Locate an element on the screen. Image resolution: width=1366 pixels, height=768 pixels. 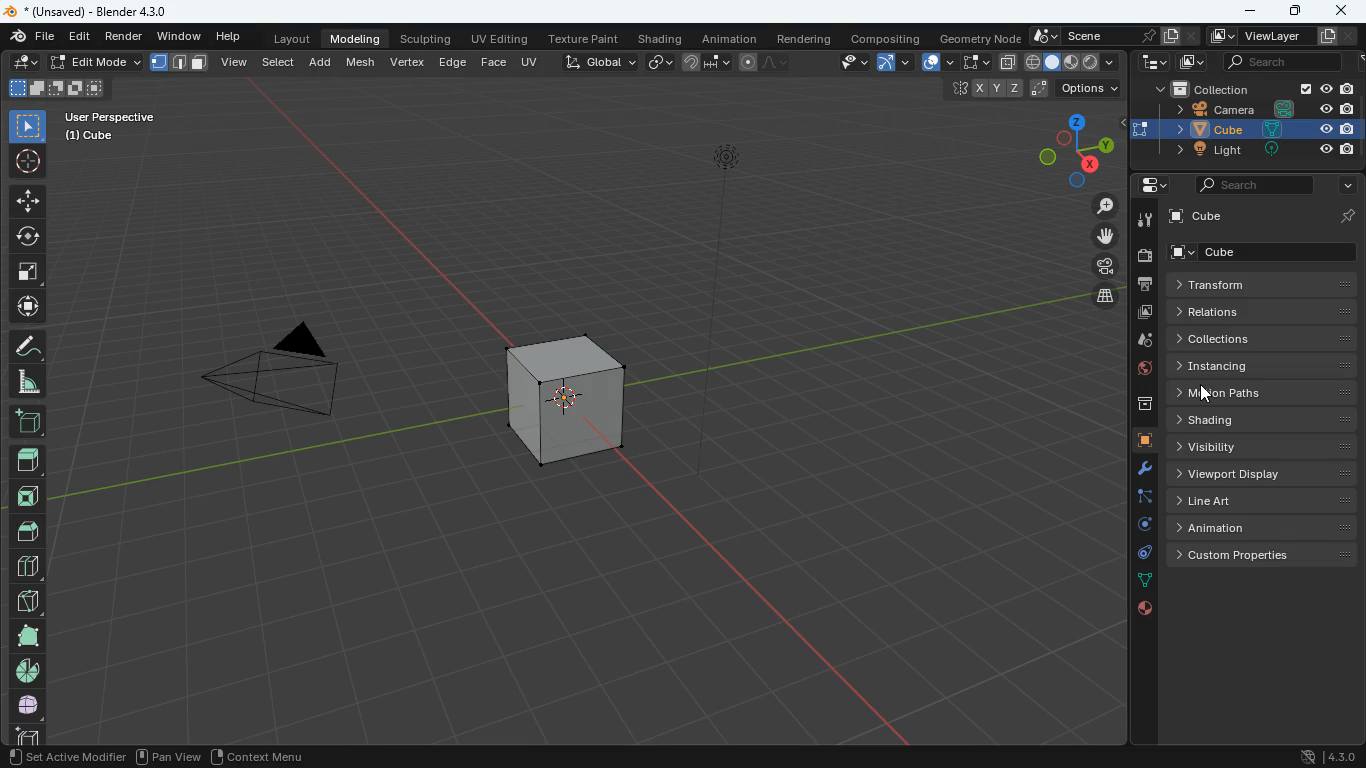
select is located at coordinates (280, 60).